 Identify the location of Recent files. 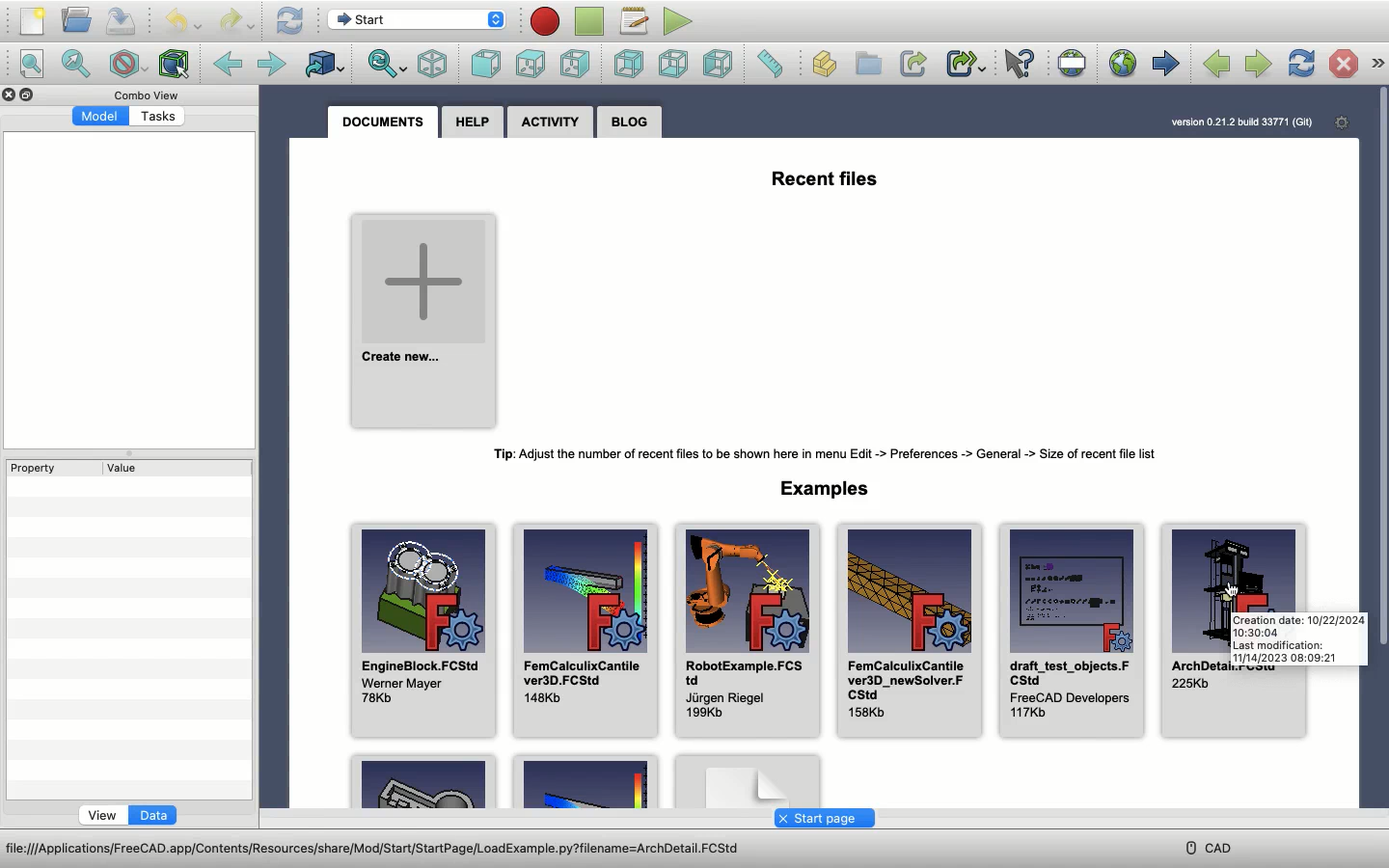
(832, 181).